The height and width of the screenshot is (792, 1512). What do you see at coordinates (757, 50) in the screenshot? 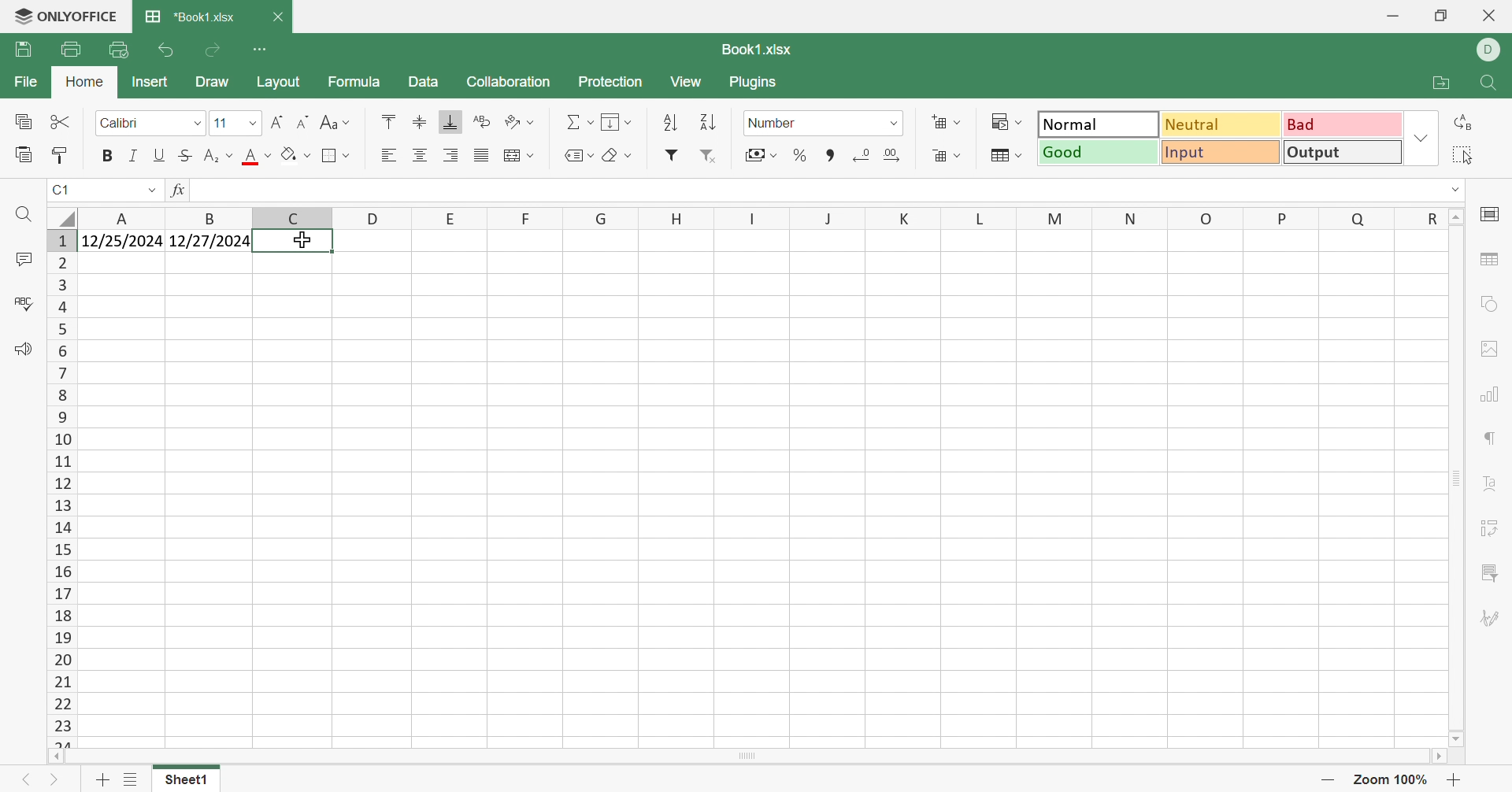
I see `Book1.xlsx` at bounding box center [757, 50].